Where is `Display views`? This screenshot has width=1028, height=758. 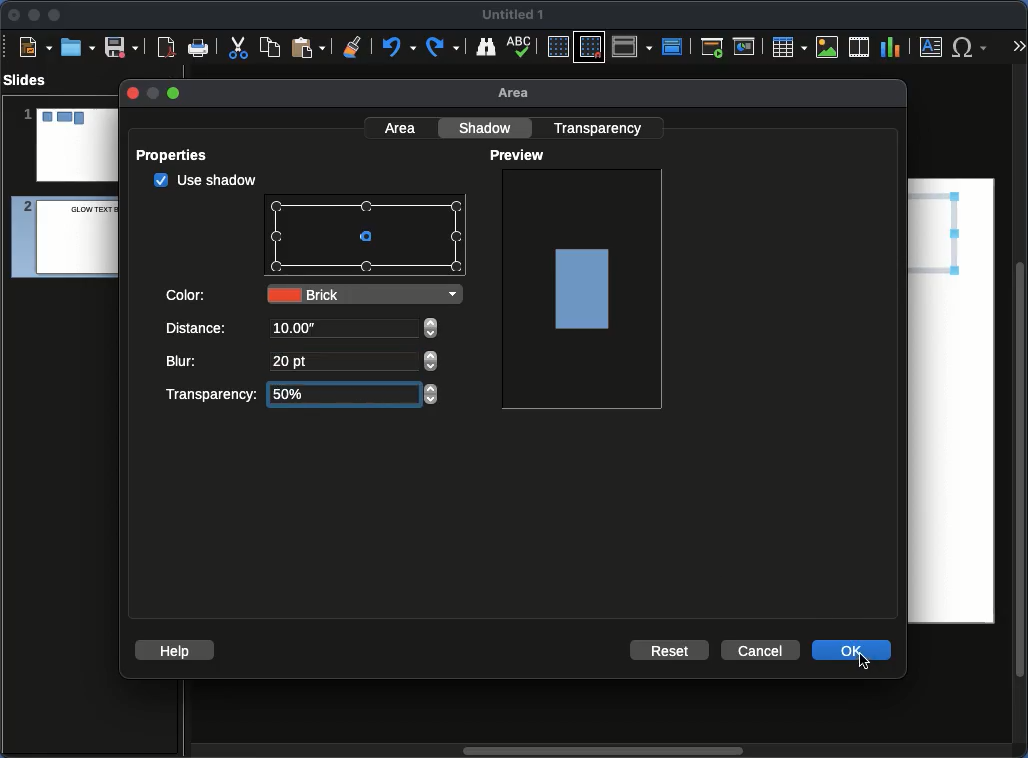 Display views is located at coordinates (635, 45).